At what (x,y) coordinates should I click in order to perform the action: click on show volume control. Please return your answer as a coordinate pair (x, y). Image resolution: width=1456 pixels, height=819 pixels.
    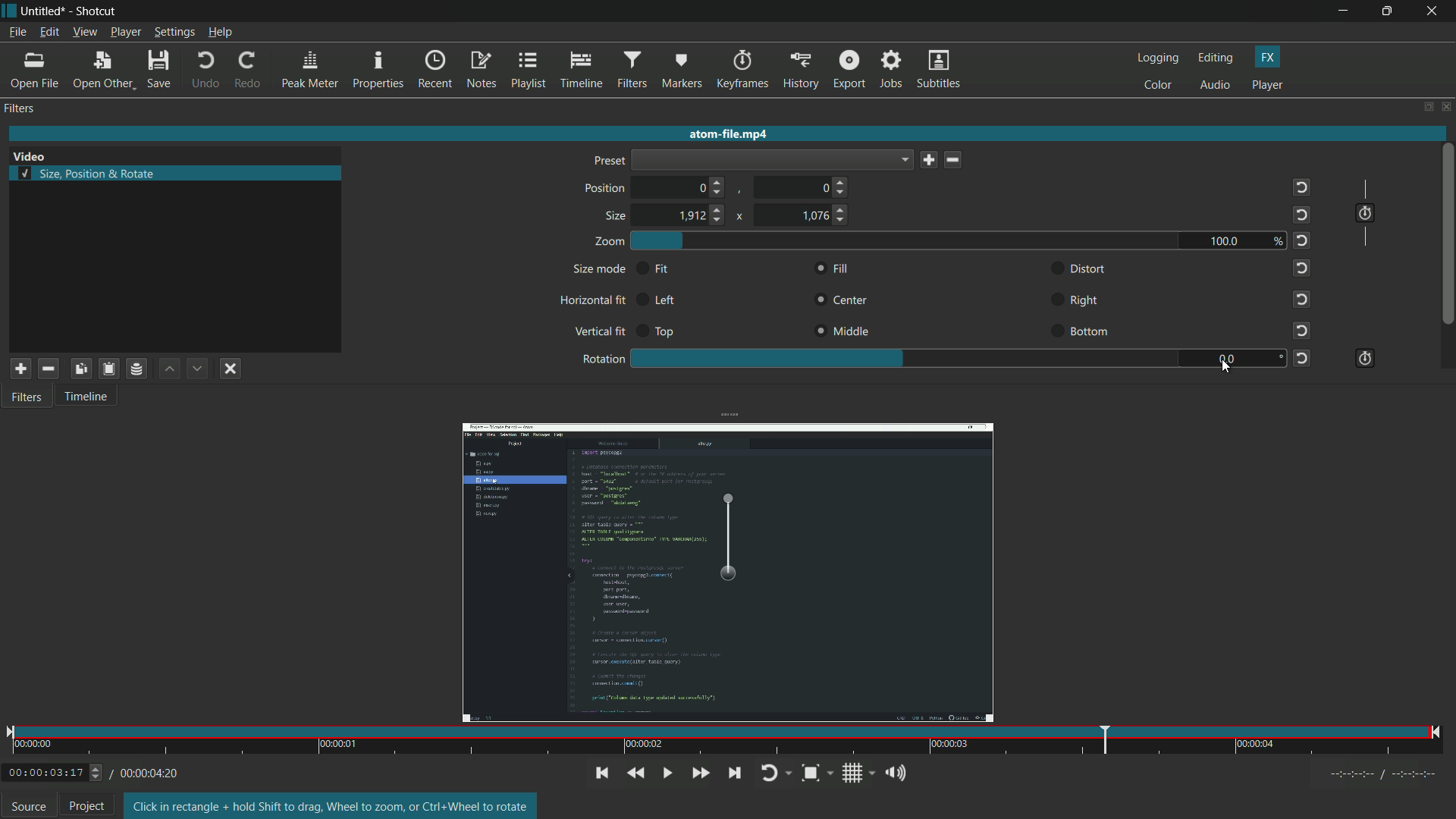
    Looking at the image, I should click on (894, 772).